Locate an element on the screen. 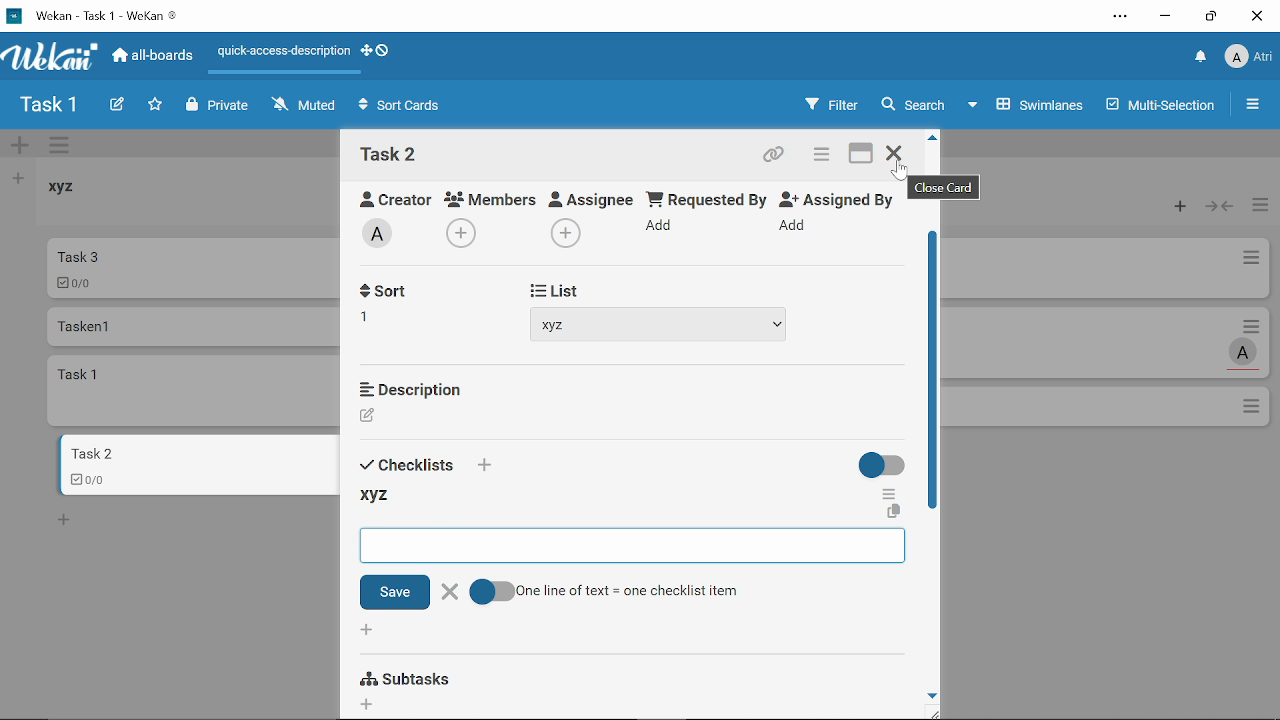 The width and height of the screenshot is (1280, 720). Filters is located at coordinates (827, 105).